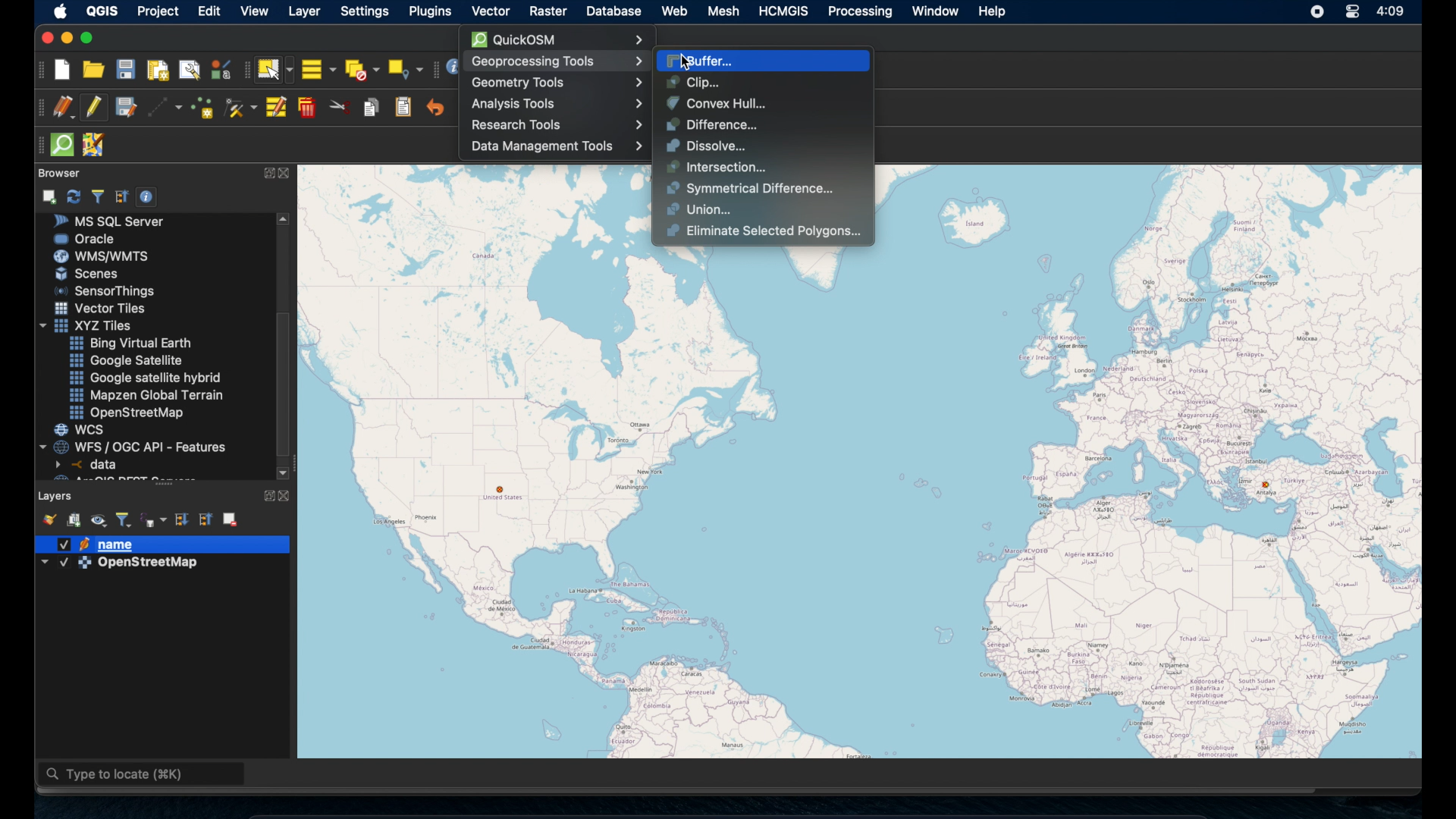 The height and width of the screenshot is (819, 1456). What do you see at coordinates (135, 446) in the screenshot?
I see `wfs/ogc api - features` at bounding box center [135, 446].